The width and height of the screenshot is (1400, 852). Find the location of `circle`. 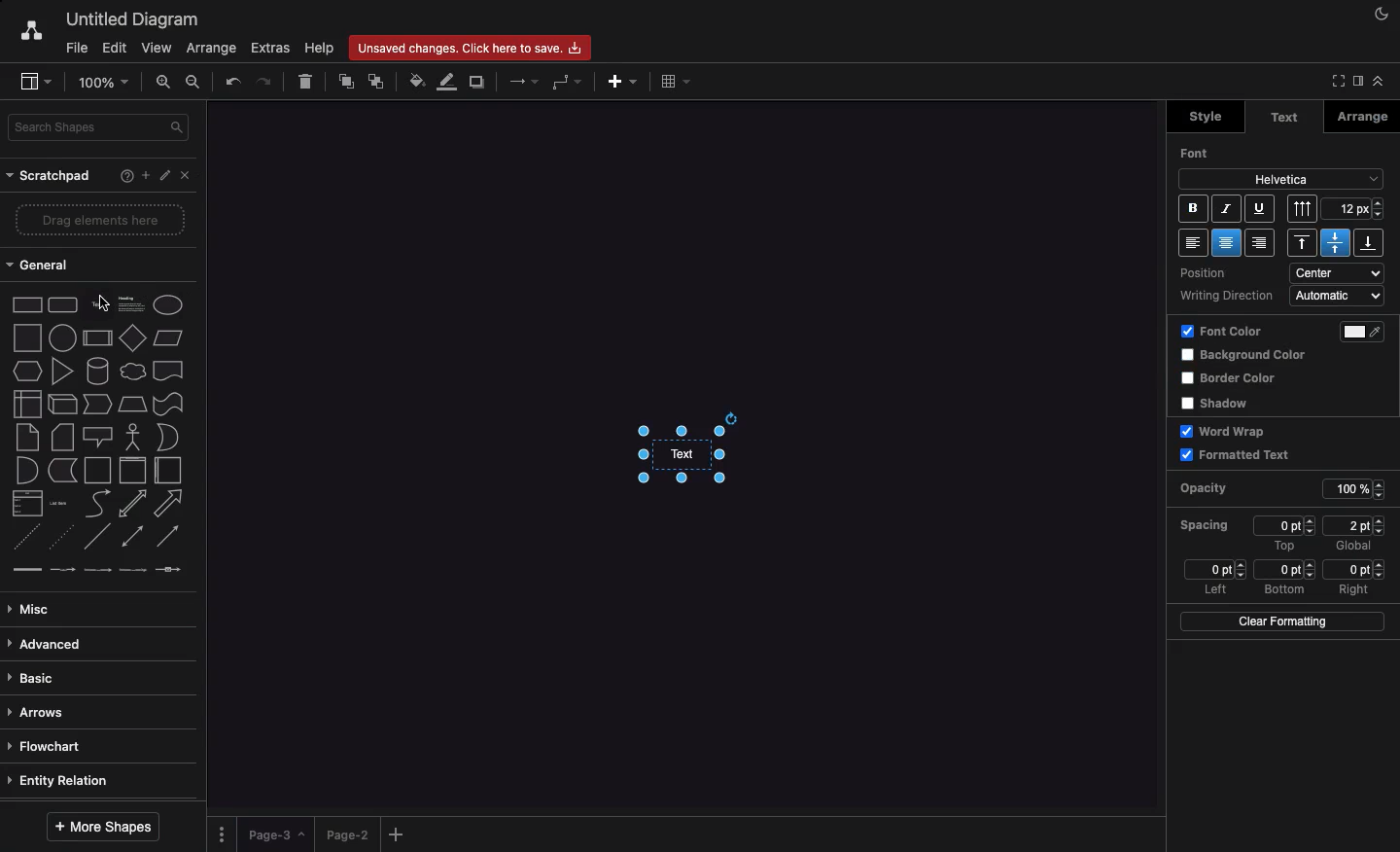

circle is located at coordinates (62, 337).